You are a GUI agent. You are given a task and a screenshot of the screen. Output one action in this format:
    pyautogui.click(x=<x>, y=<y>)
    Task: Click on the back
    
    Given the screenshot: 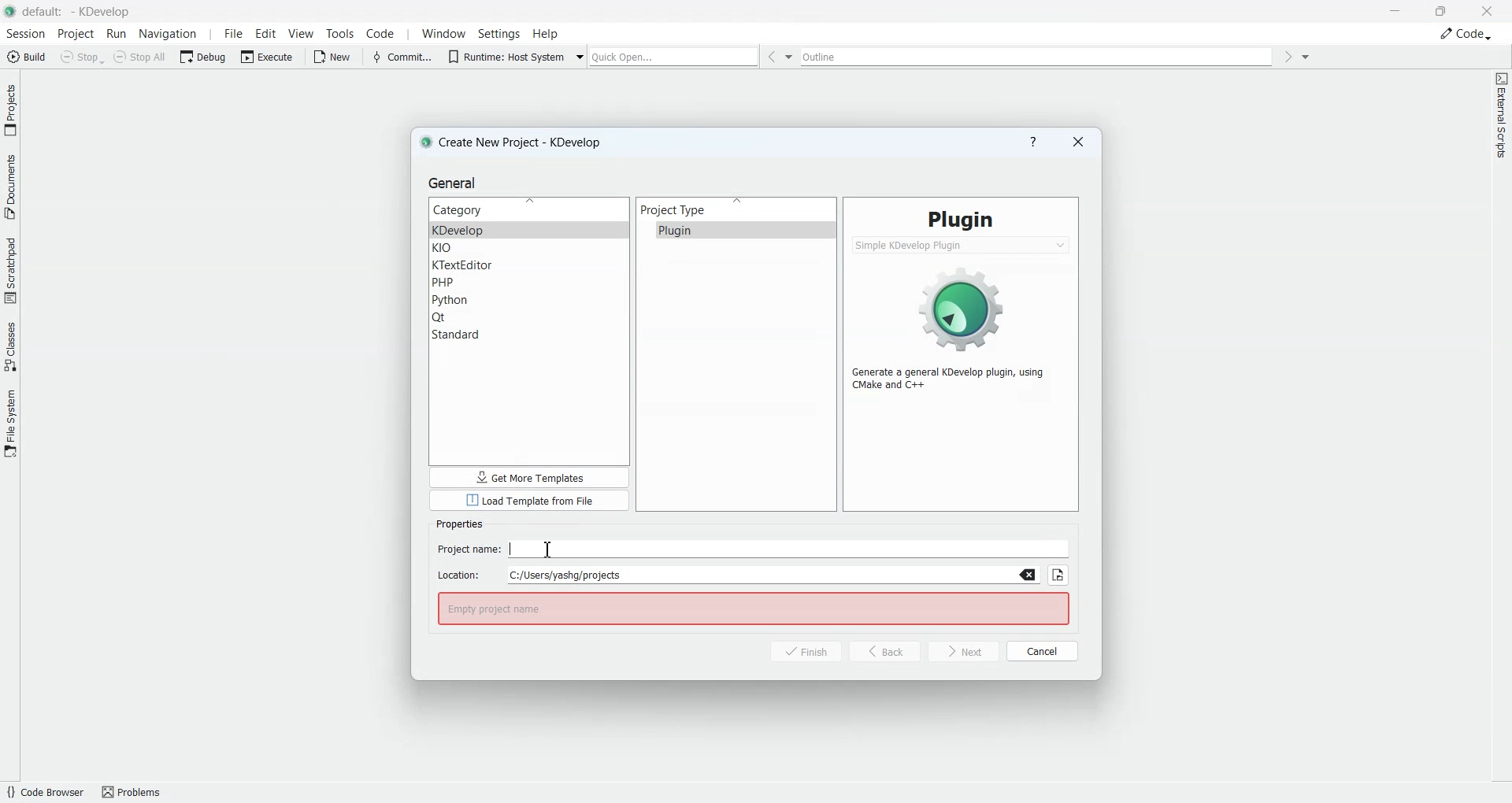 What is the action you would take?
    pyautogui.click(x=885, y=651)
    